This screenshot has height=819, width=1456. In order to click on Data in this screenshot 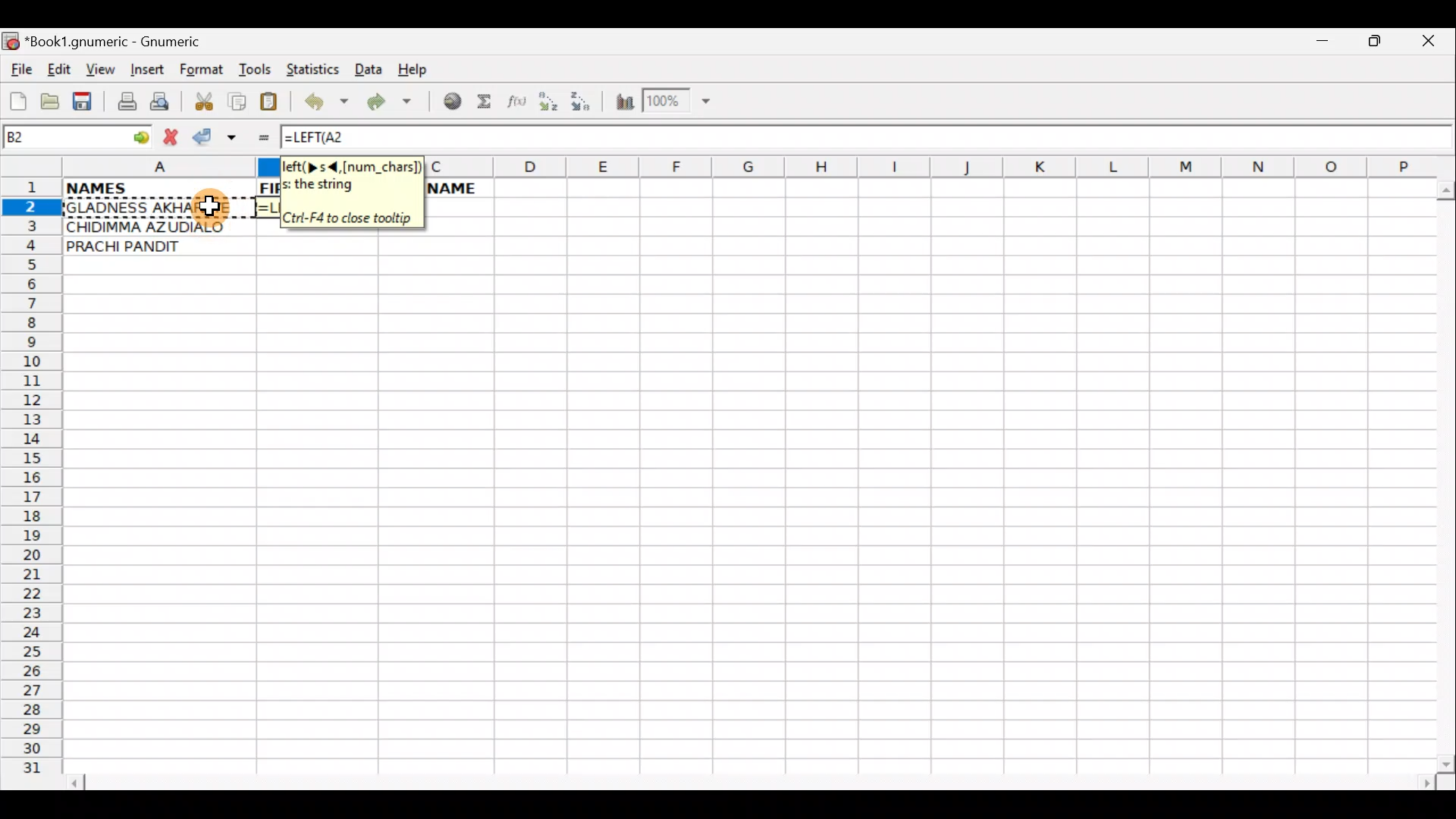, I will do `click(368, 68)`.